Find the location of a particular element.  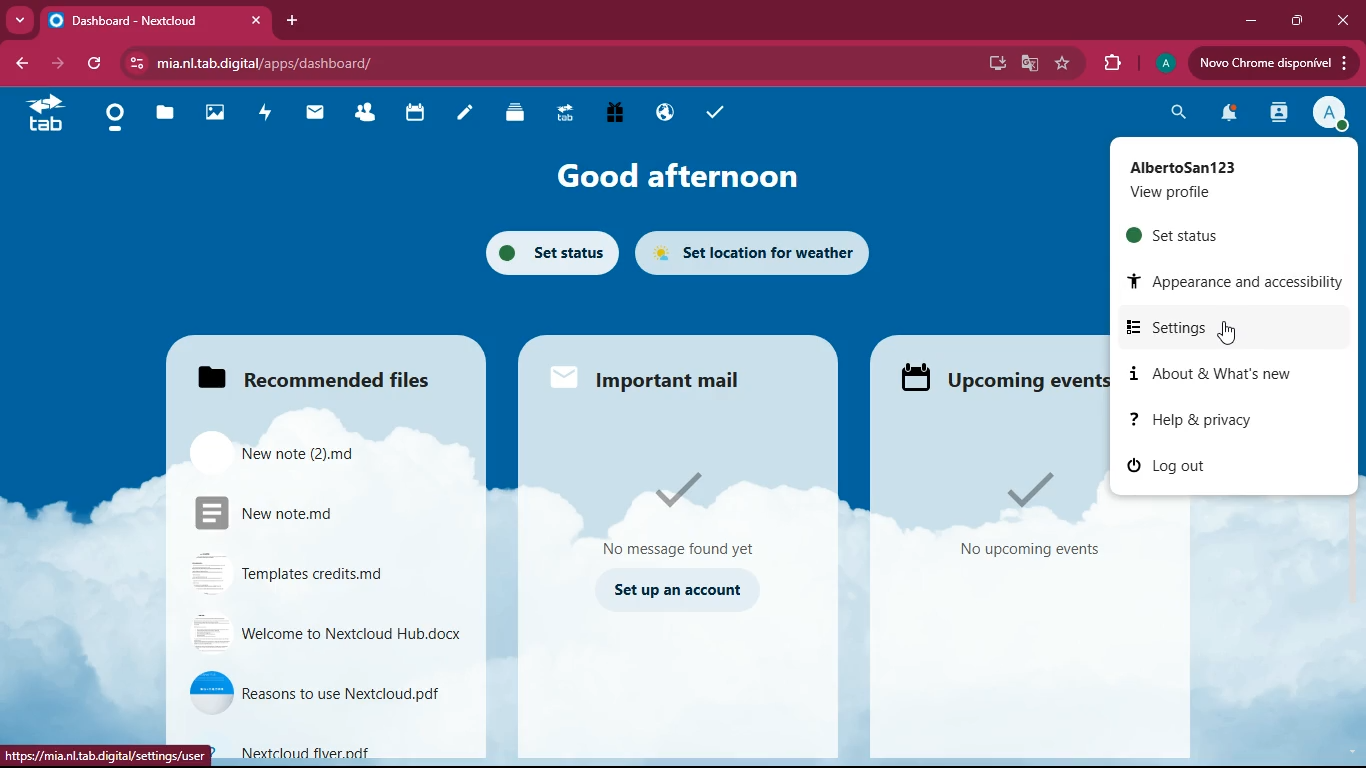

profile is located at coordinates (1223, 180).